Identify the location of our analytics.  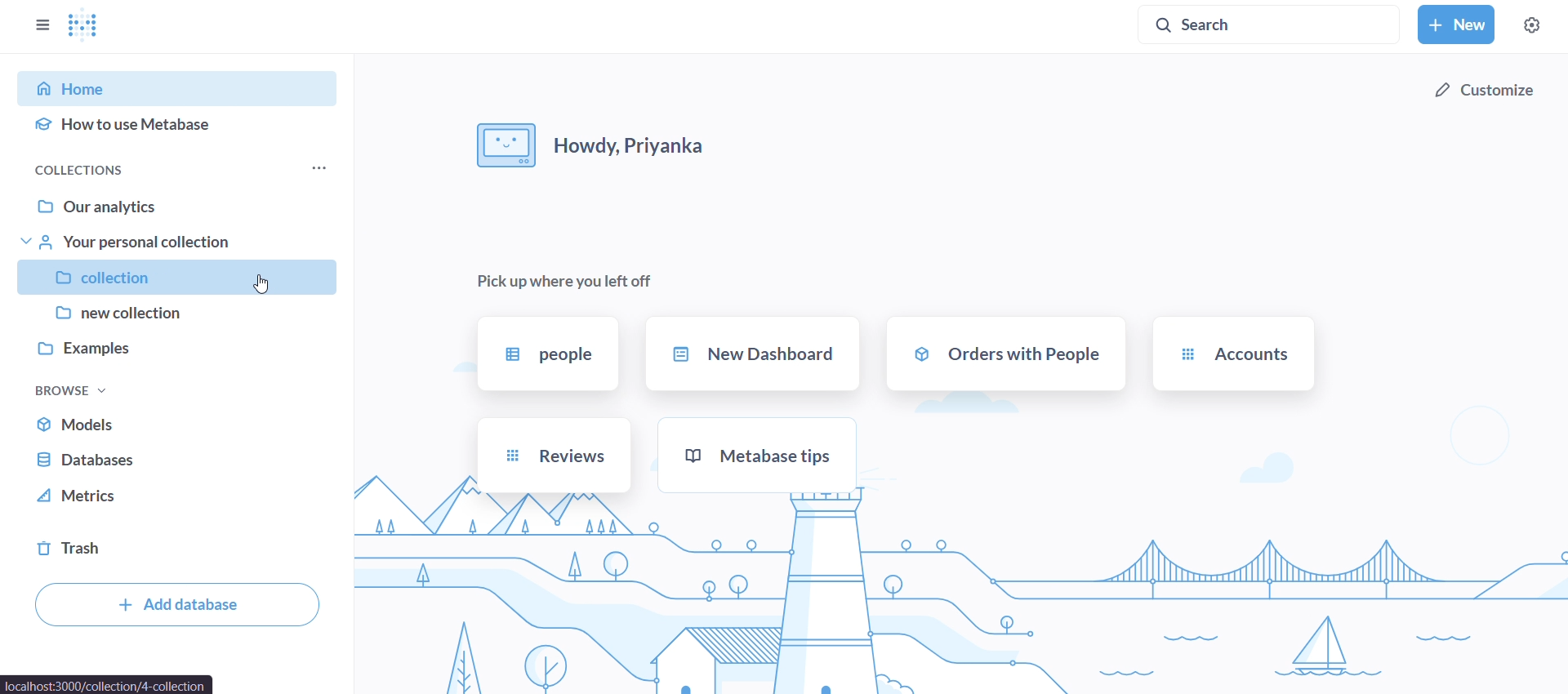
(182, 203).